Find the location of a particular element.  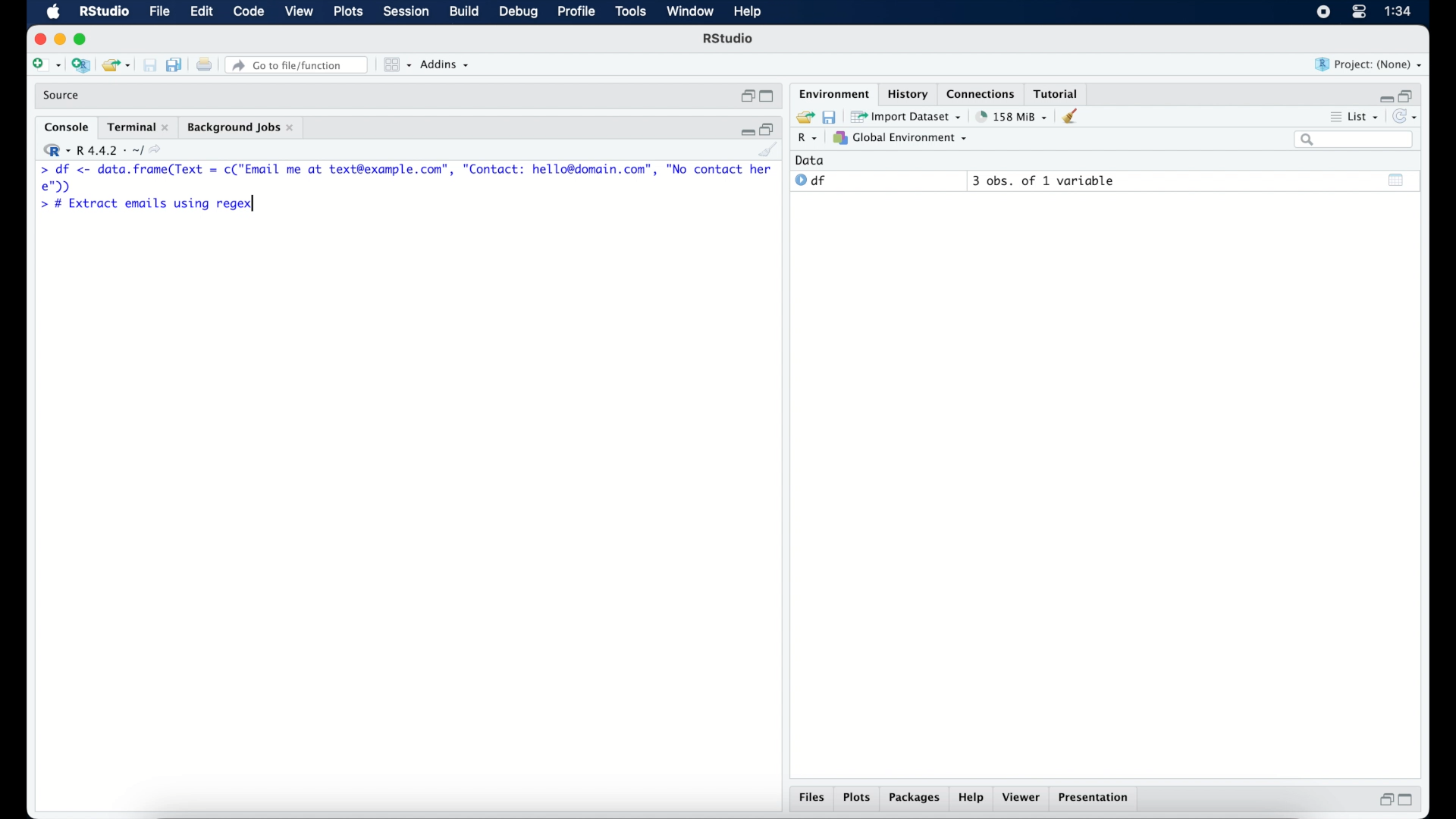

search bar is located at coordinates (1355, 140).